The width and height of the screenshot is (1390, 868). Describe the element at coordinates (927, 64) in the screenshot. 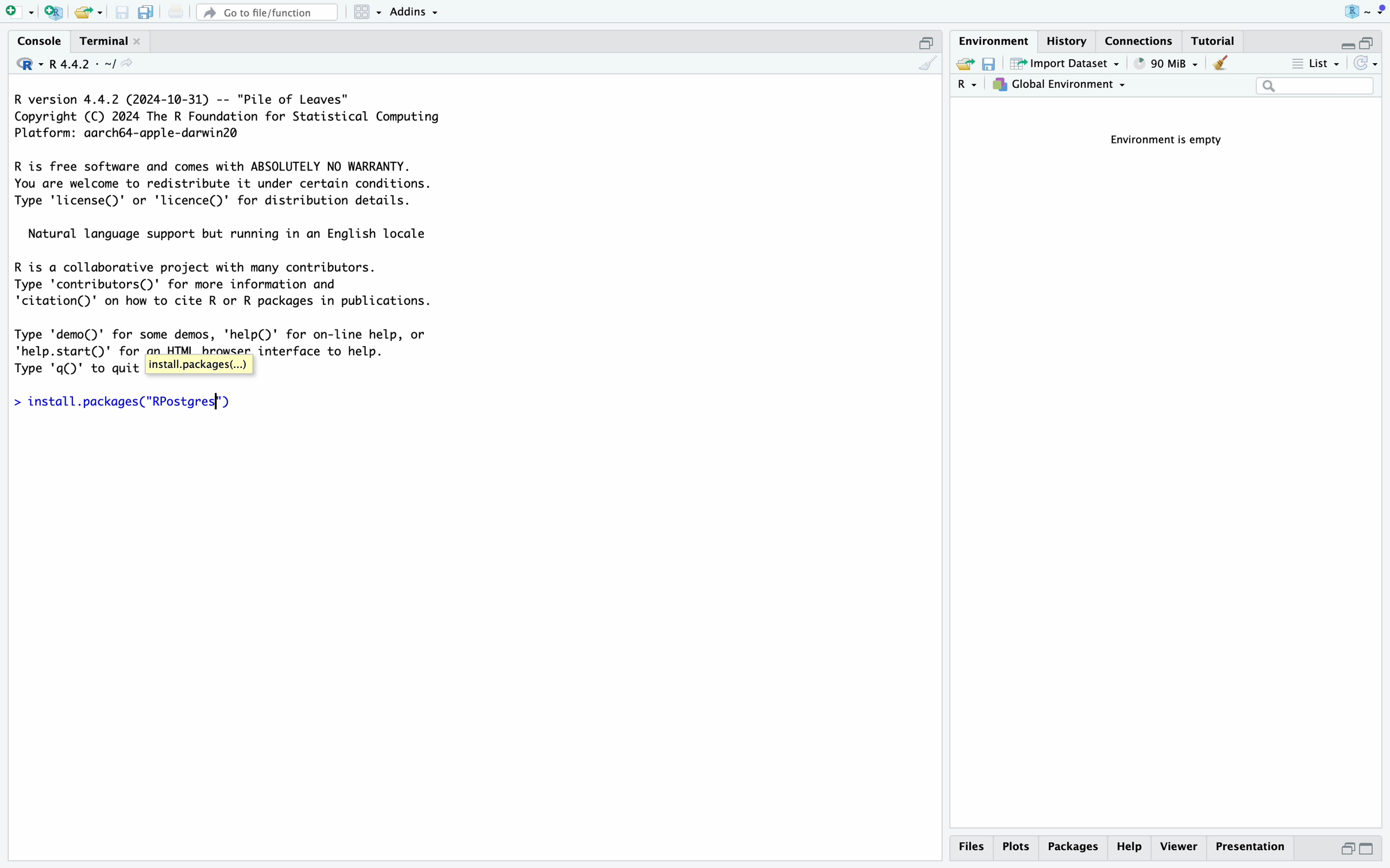

I see `console` at that location.